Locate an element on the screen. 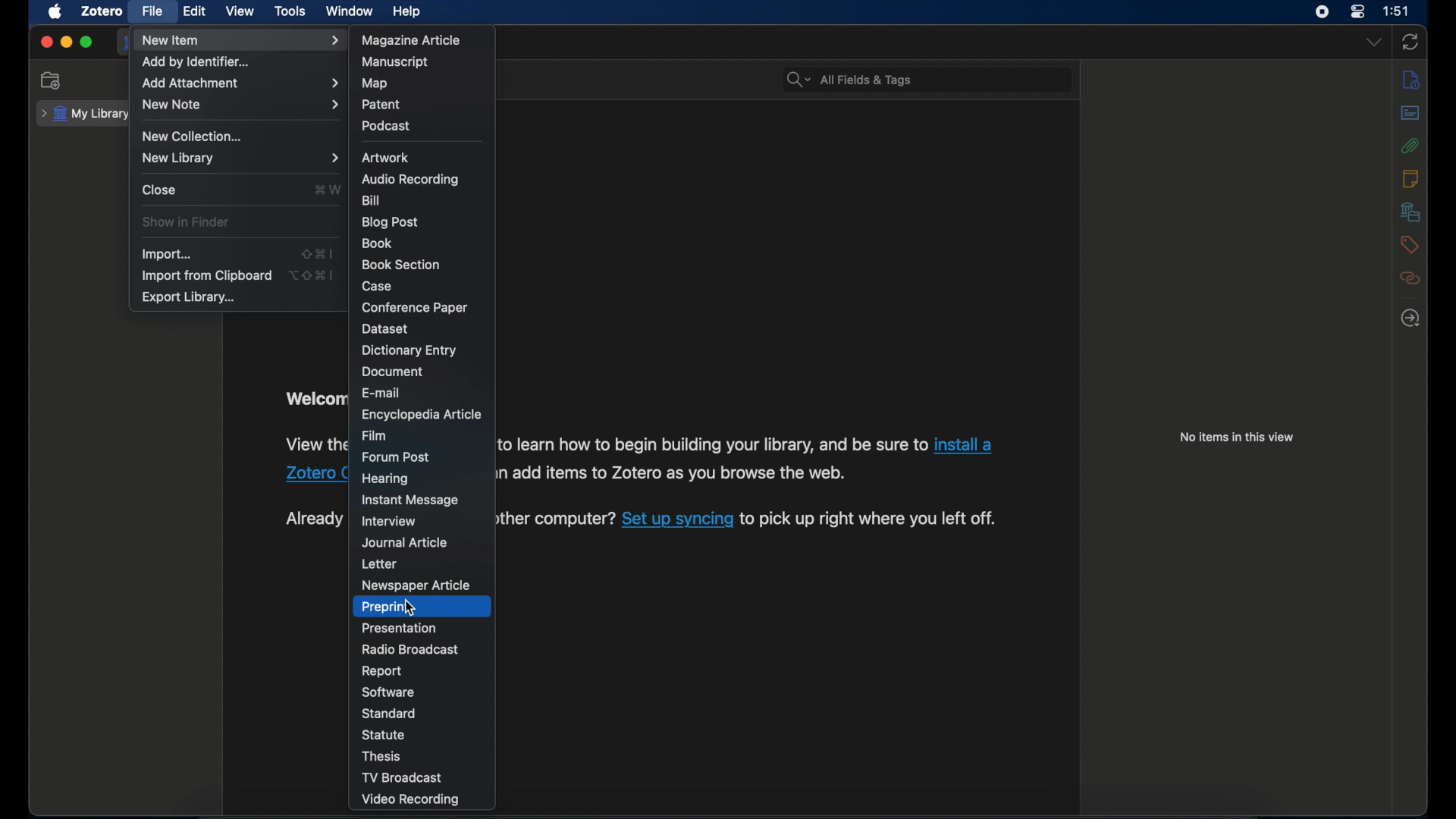  export library is located at coordinates (190, 297).